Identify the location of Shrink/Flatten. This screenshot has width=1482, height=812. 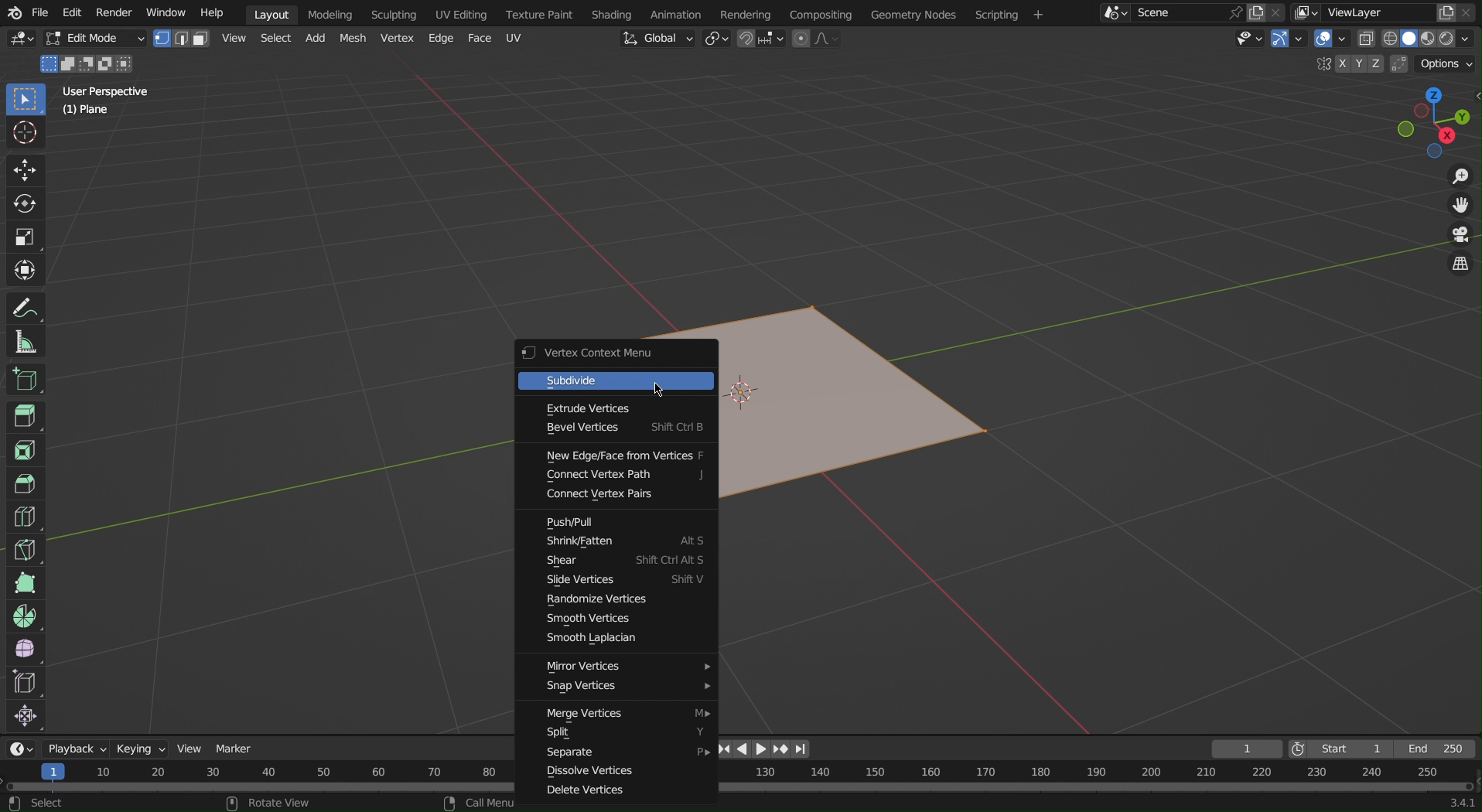
(25, 718).